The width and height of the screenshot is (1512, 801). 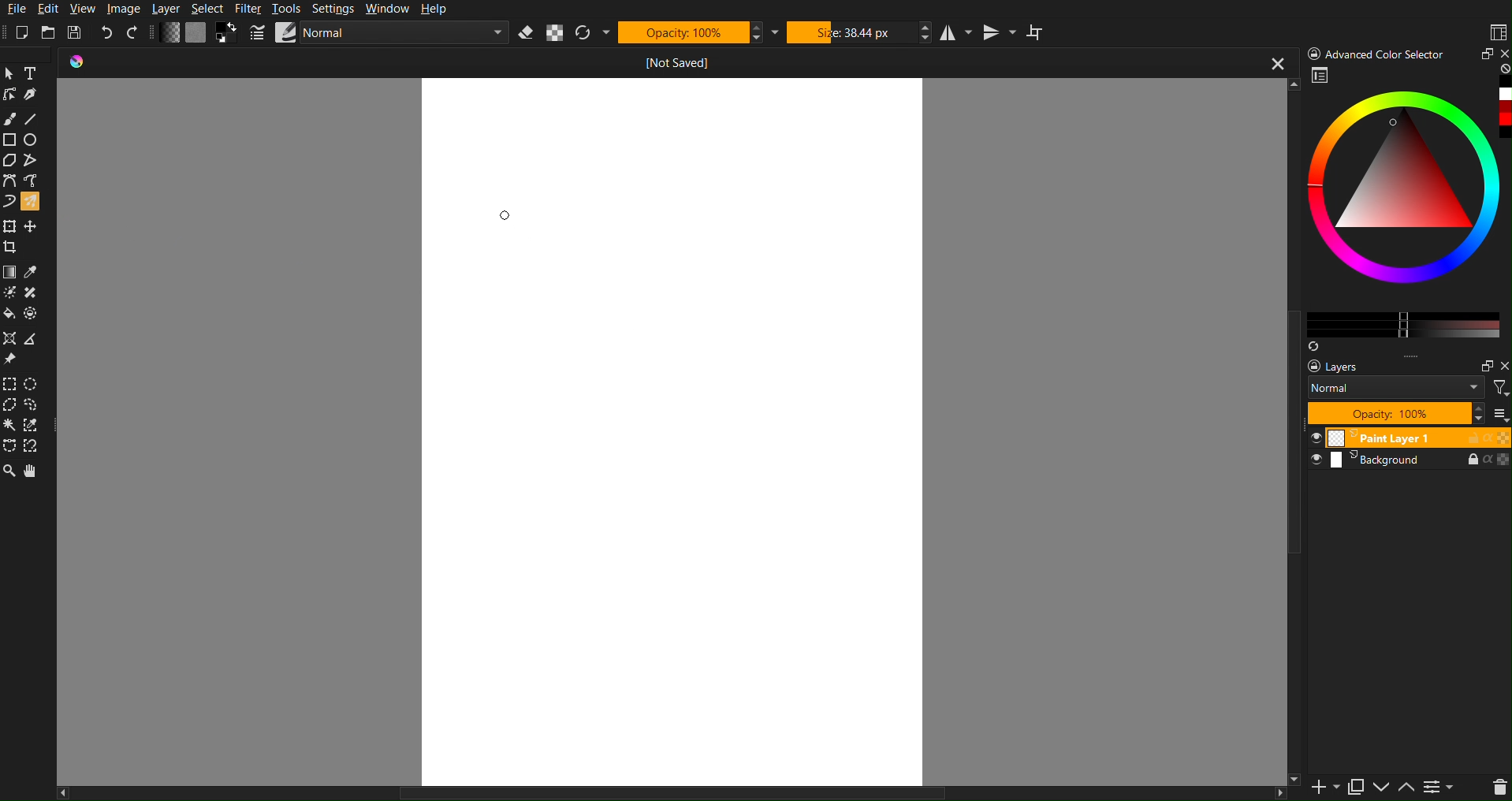 What do you see at coordinates (10, 140) in the screenshot?
I see `Rectangle` at bounding box center [10, 140].